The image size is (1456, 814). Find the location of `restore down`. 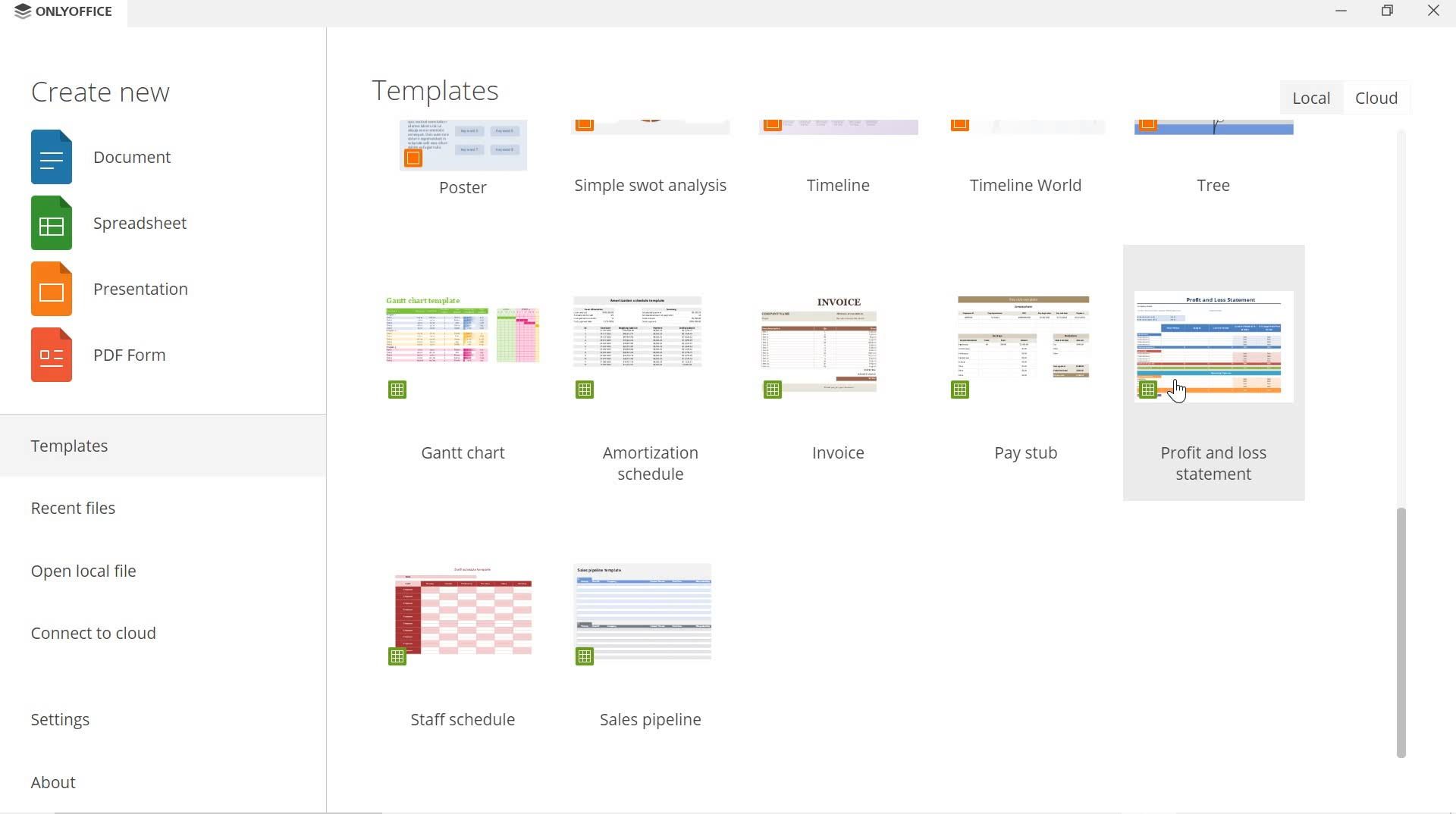

restore down is located at coordinates (1388, 12).